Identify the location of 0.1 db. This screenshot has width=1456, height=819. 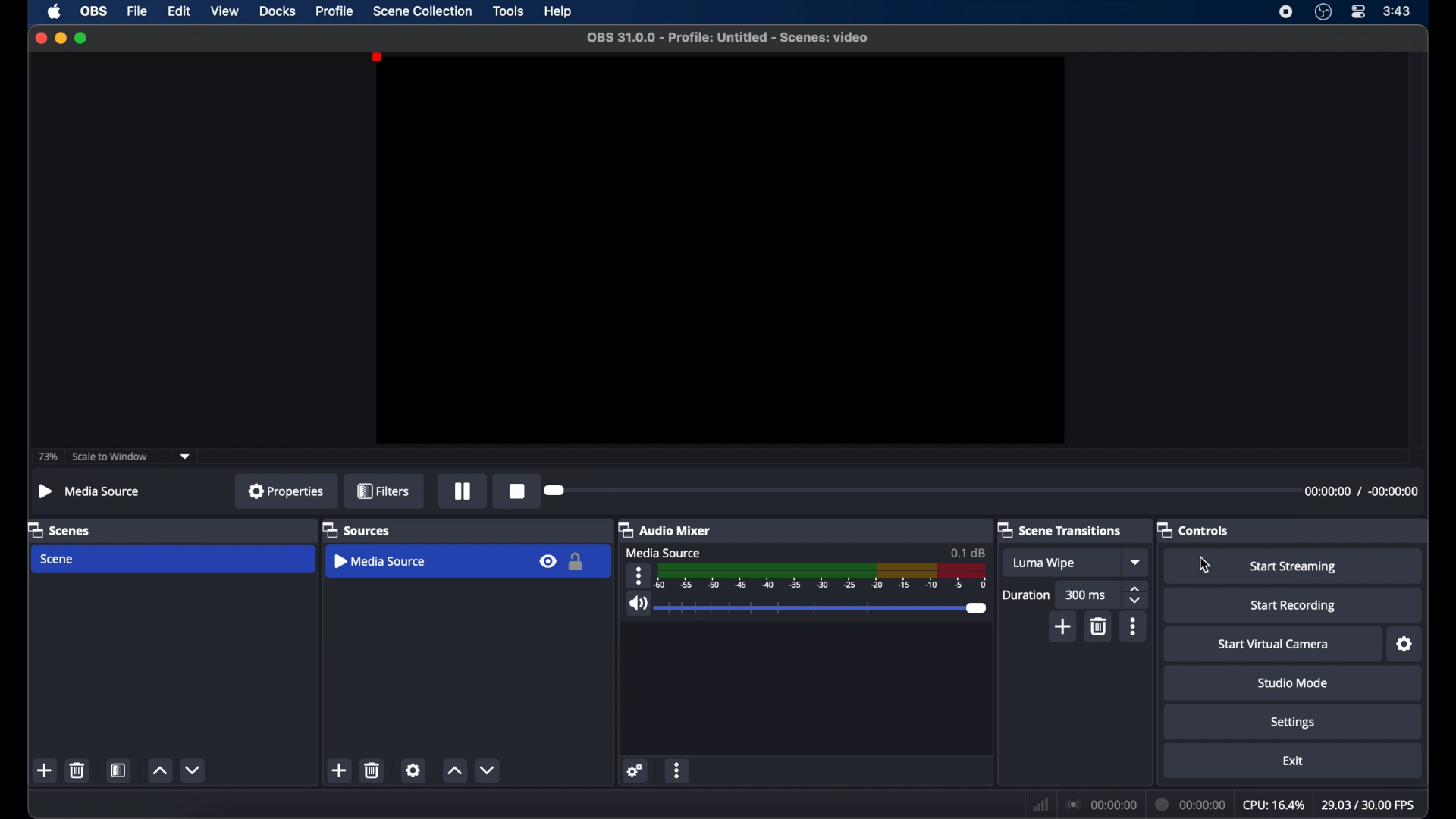
(968, 553).